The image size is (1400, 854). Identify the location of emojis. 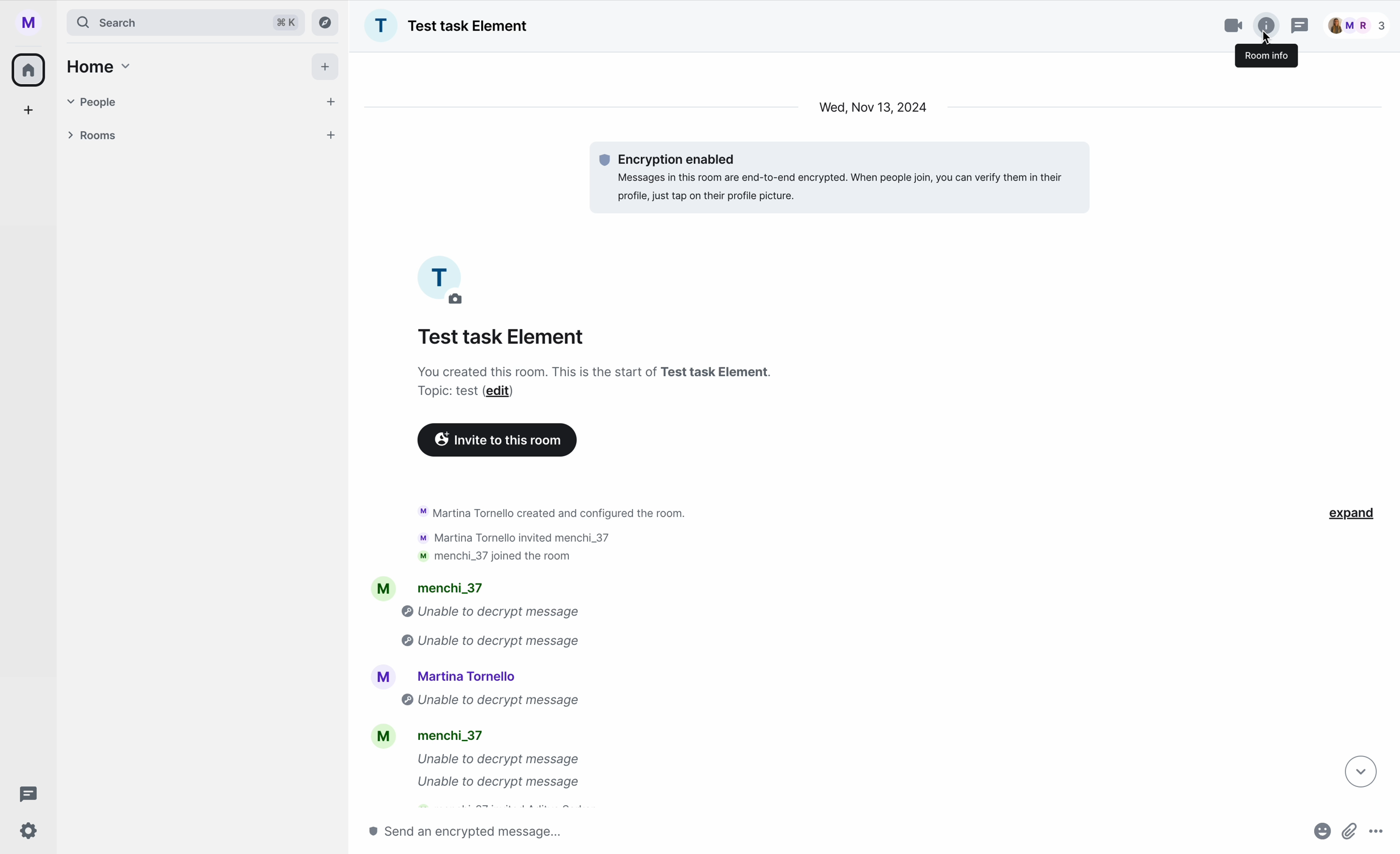
(1320, 832).